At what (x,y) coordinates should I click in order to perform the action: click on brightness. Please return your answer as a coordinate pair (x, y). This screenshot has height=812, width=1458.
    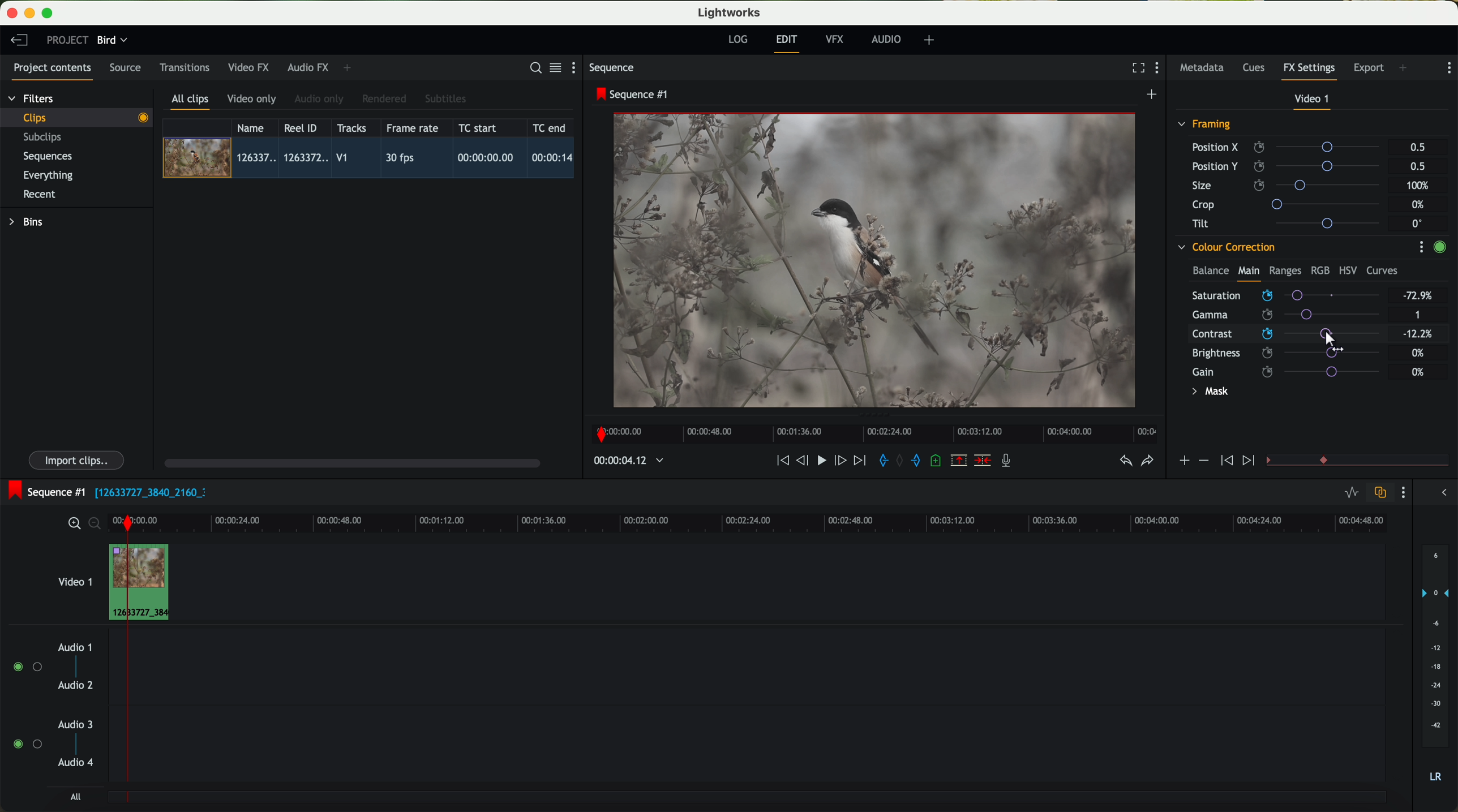
    Looking at the image, I should click on (1293, 353).